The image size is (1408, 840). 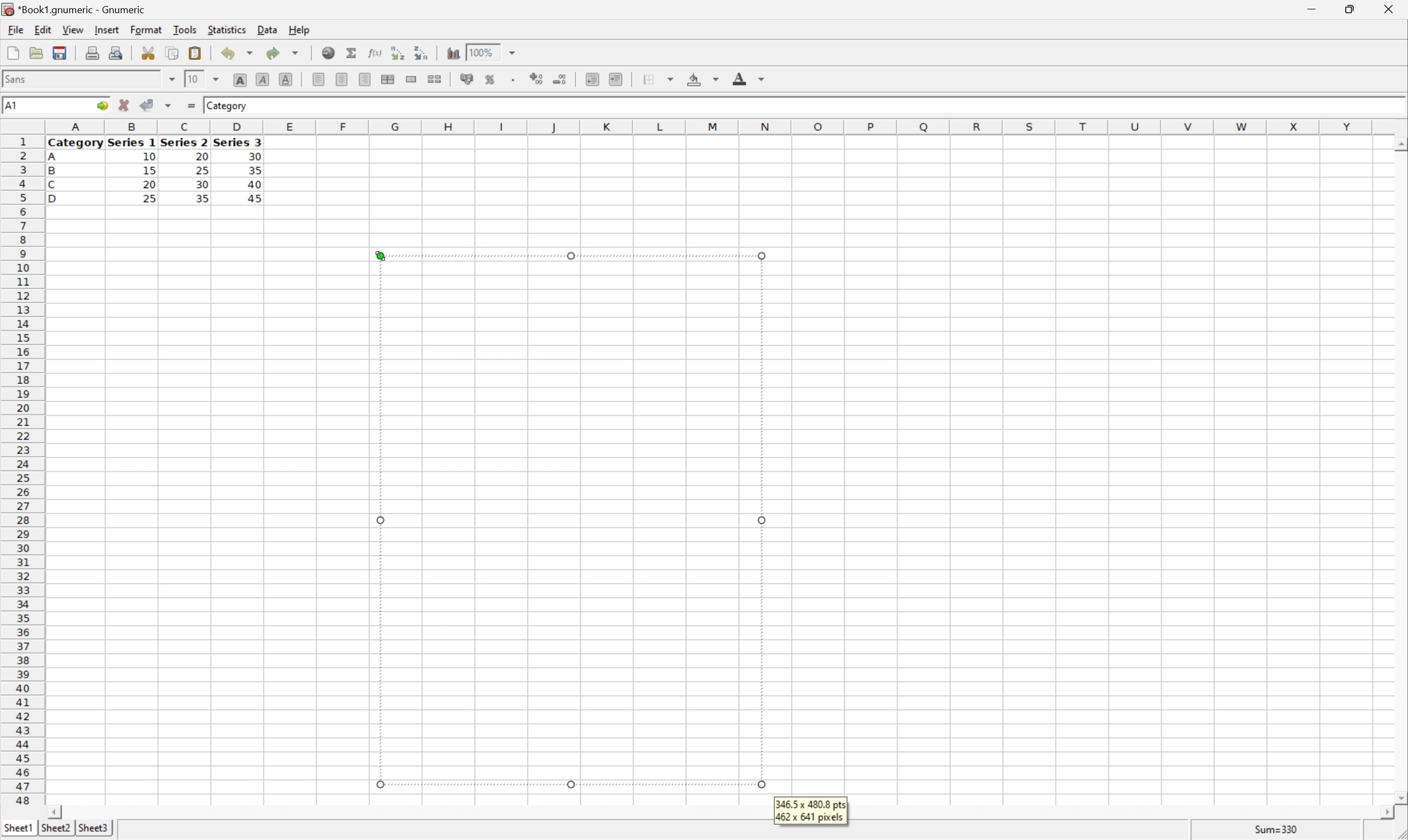 I want to click on Minimize, so click(x=1308, y=10).